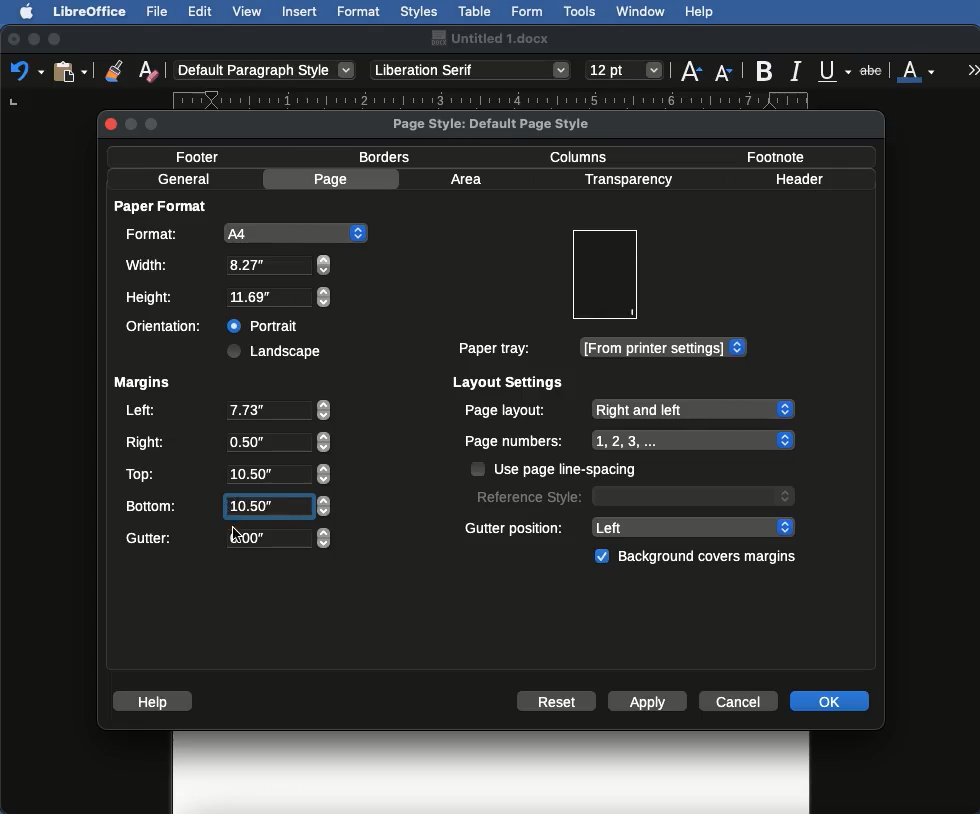 The width and height of the screenshot is (980, 814). I want to click on Minimize, so click(33, 39).